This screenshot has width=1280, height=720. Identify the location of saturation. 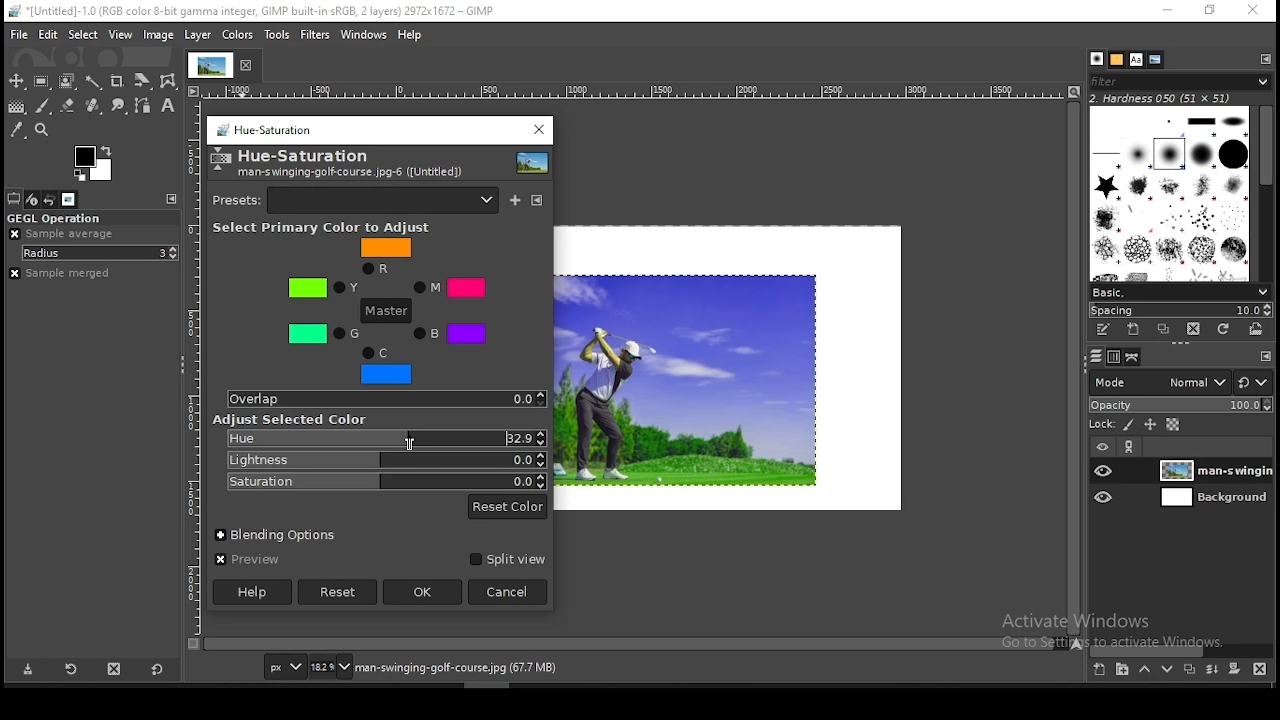
(384, 481).